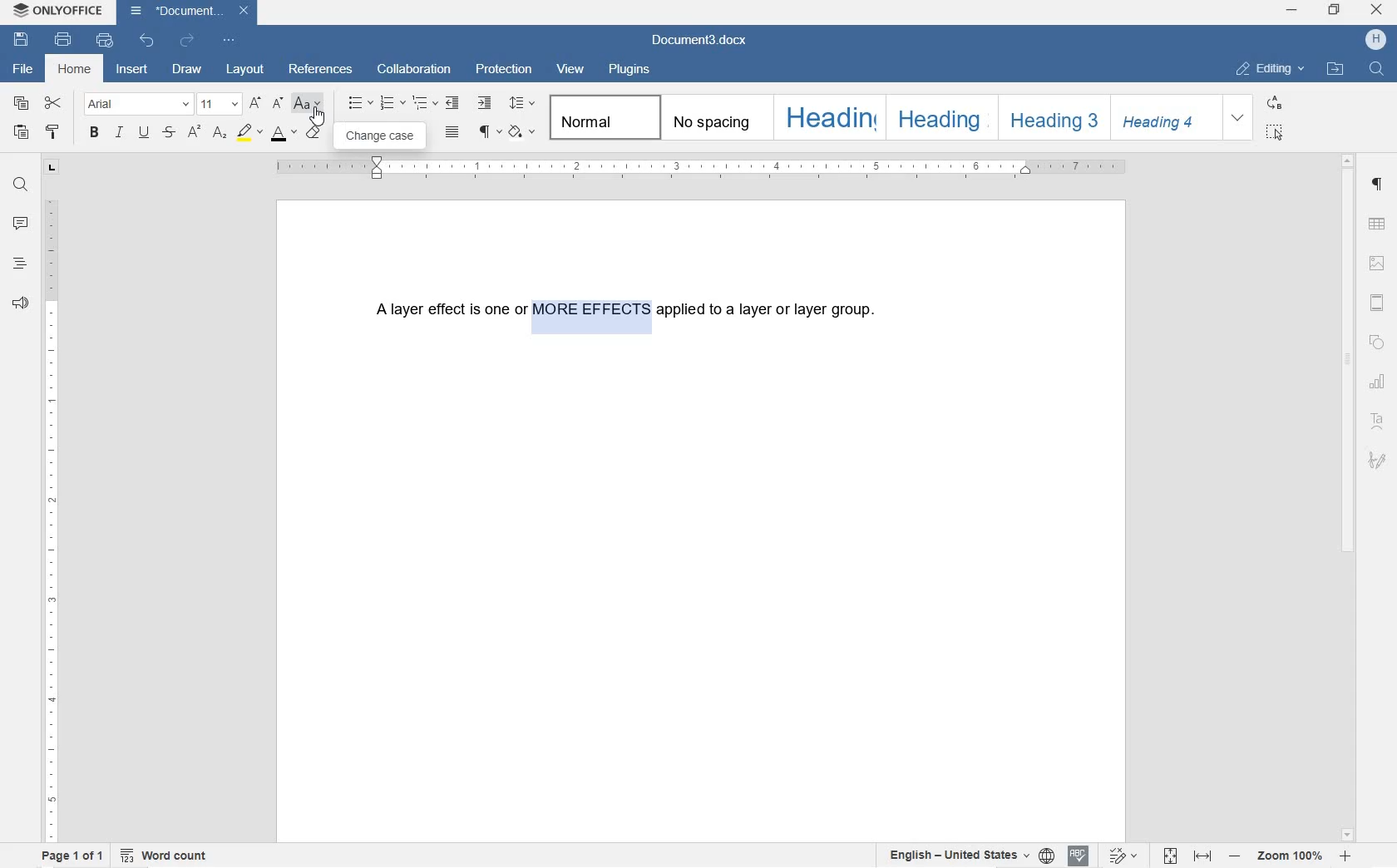 The width and height of the screenshot is (1397, 868). Describe the element at coordinates (1348, 497) in the screenshot. I see `SCROLLBAR` at that location.